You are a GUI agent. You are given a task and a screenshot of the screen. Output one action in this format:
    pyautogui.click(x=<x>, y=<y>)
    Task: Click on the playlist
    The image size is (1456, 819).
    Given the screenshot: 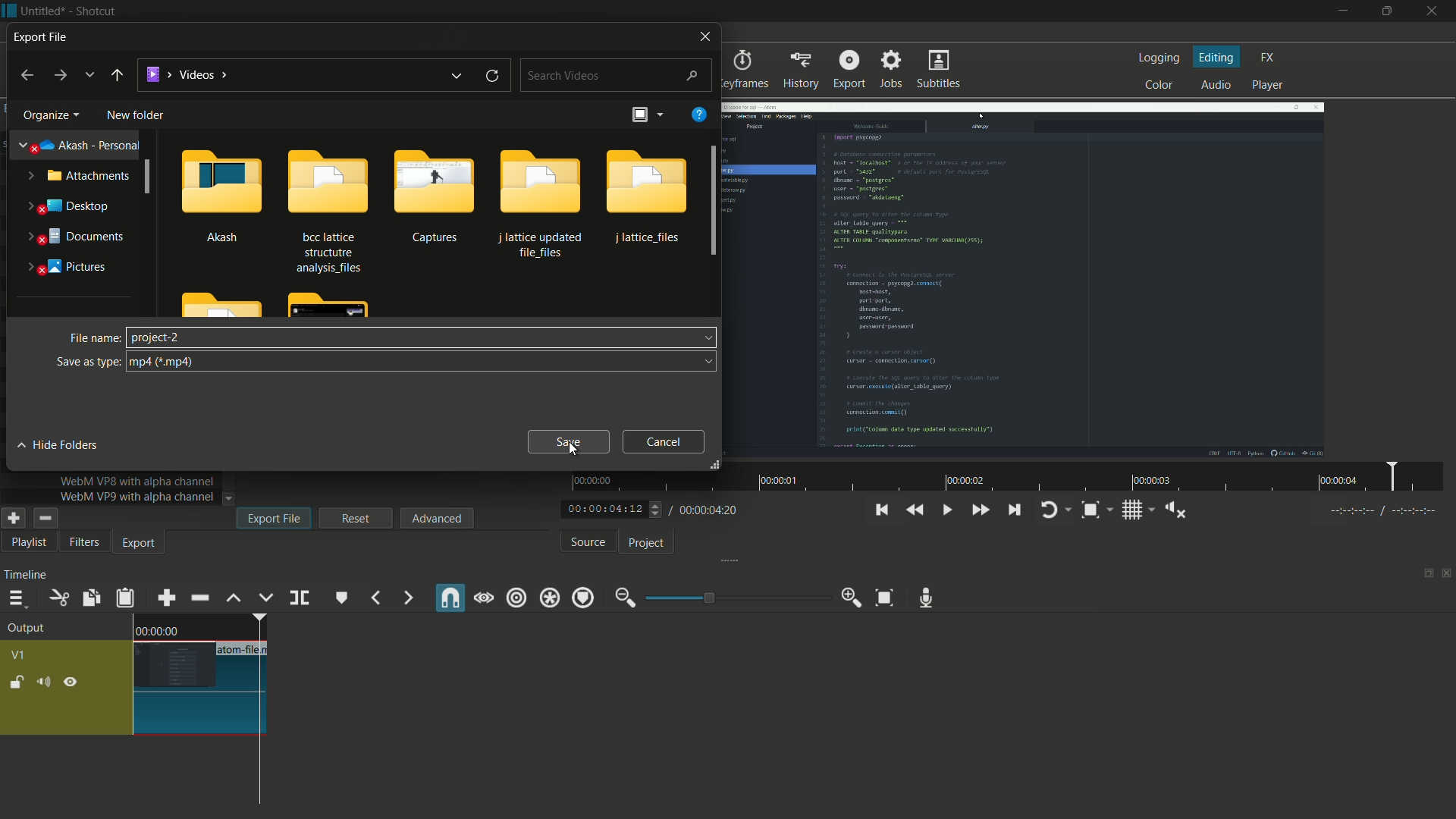 What is the action you would take?
    pyautogui.click(x=26, y=544)
    